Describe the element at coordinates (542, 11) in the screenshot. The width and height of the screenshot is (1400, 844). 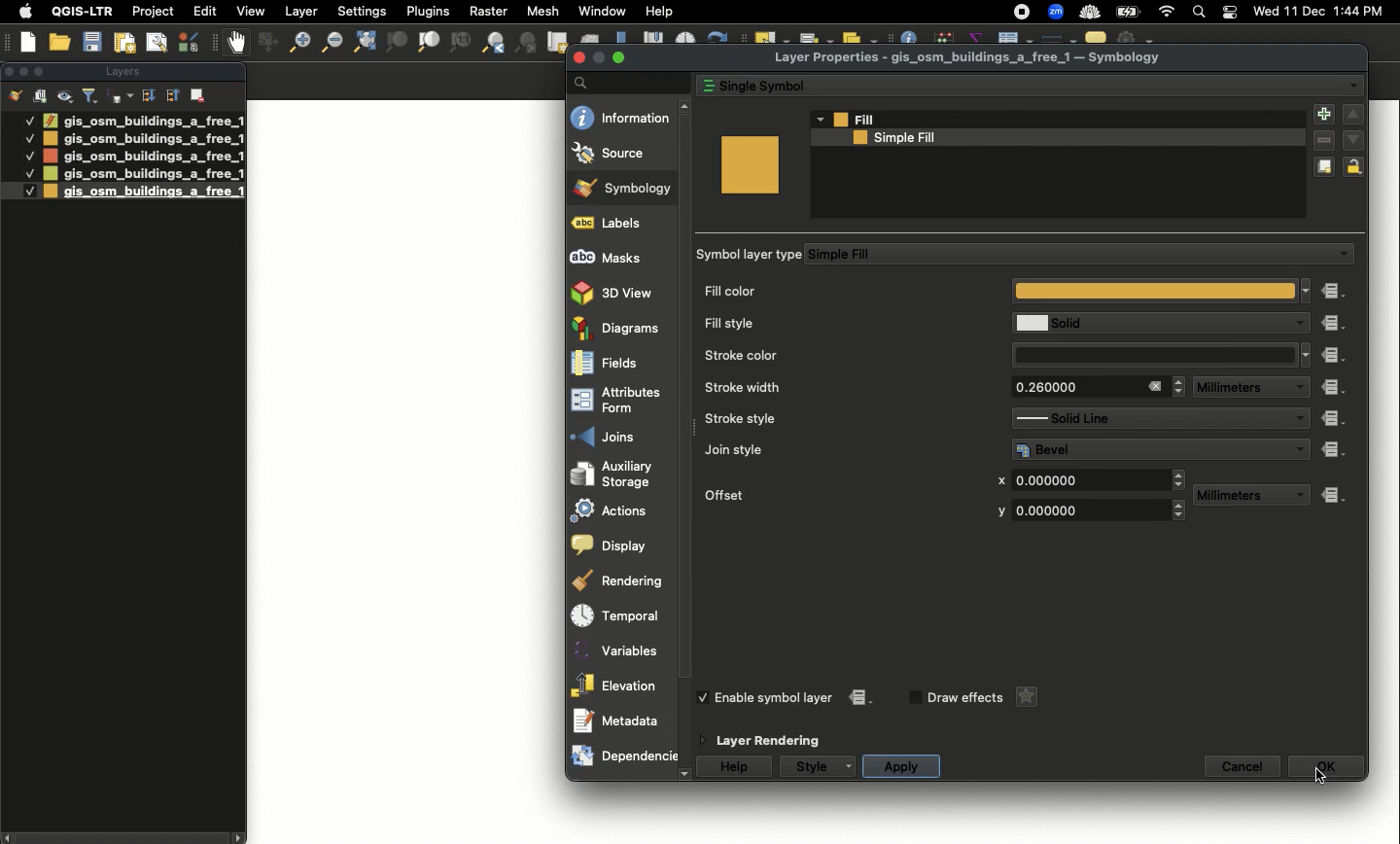
I see `Mesh` at that location.